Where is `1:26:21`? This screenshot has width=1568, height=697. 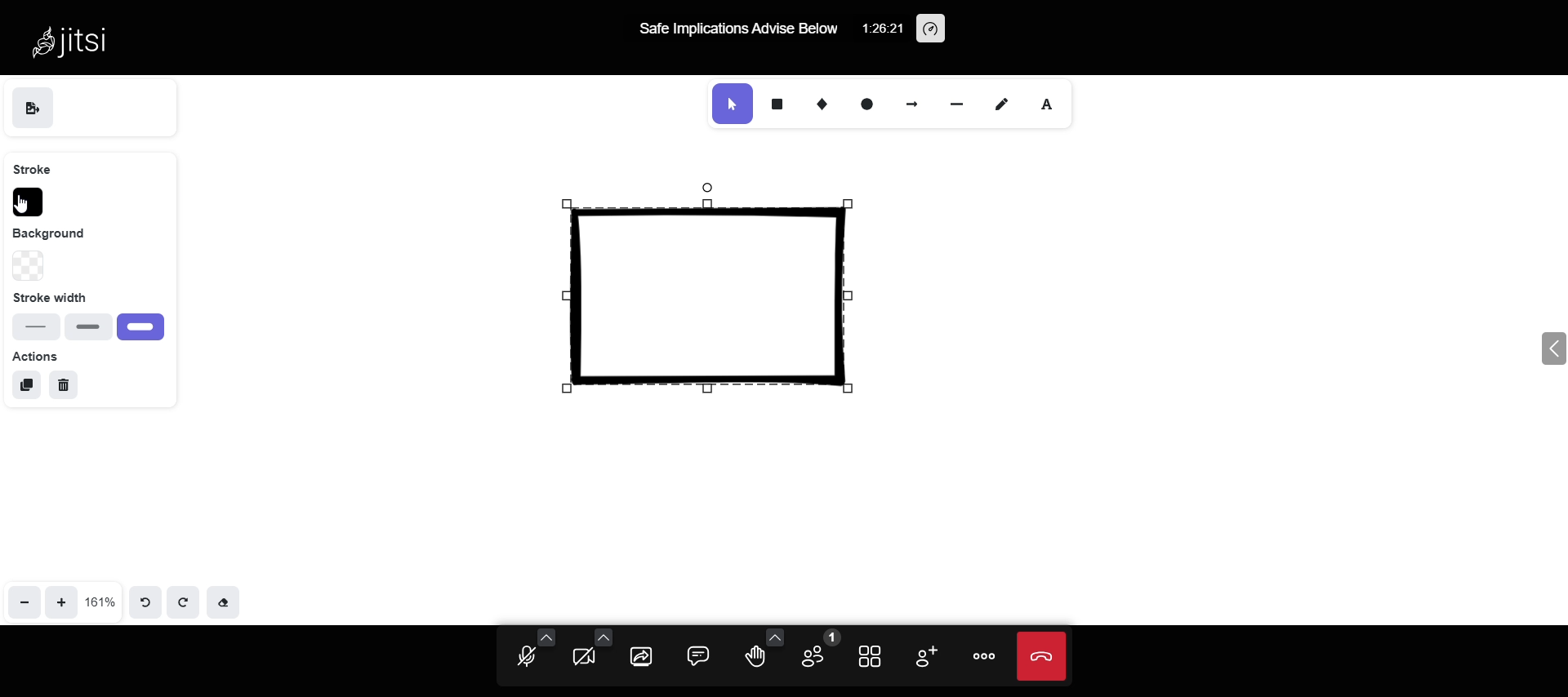
1:26:21 is located at coordinates (881, 29).